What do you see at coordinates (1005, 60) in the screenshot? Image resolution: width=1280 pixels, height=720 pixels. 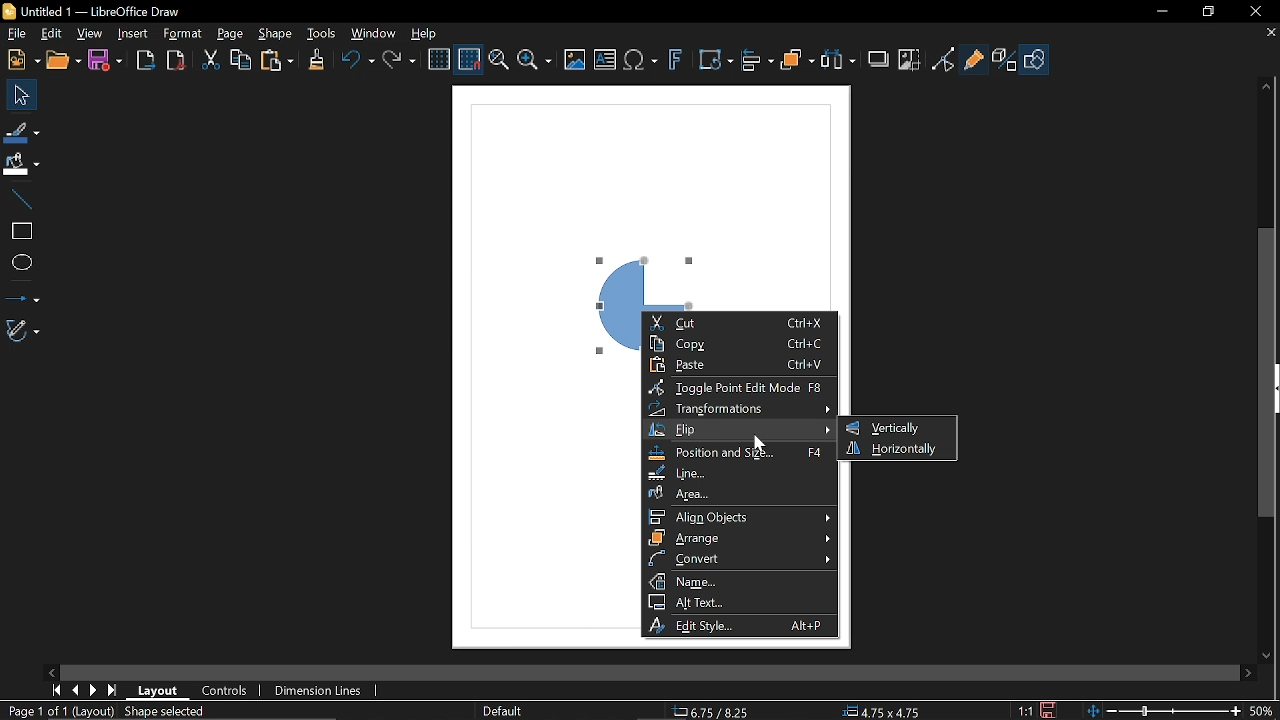 I see `Toggle ectrusion` at bounding box center [1005, 60].